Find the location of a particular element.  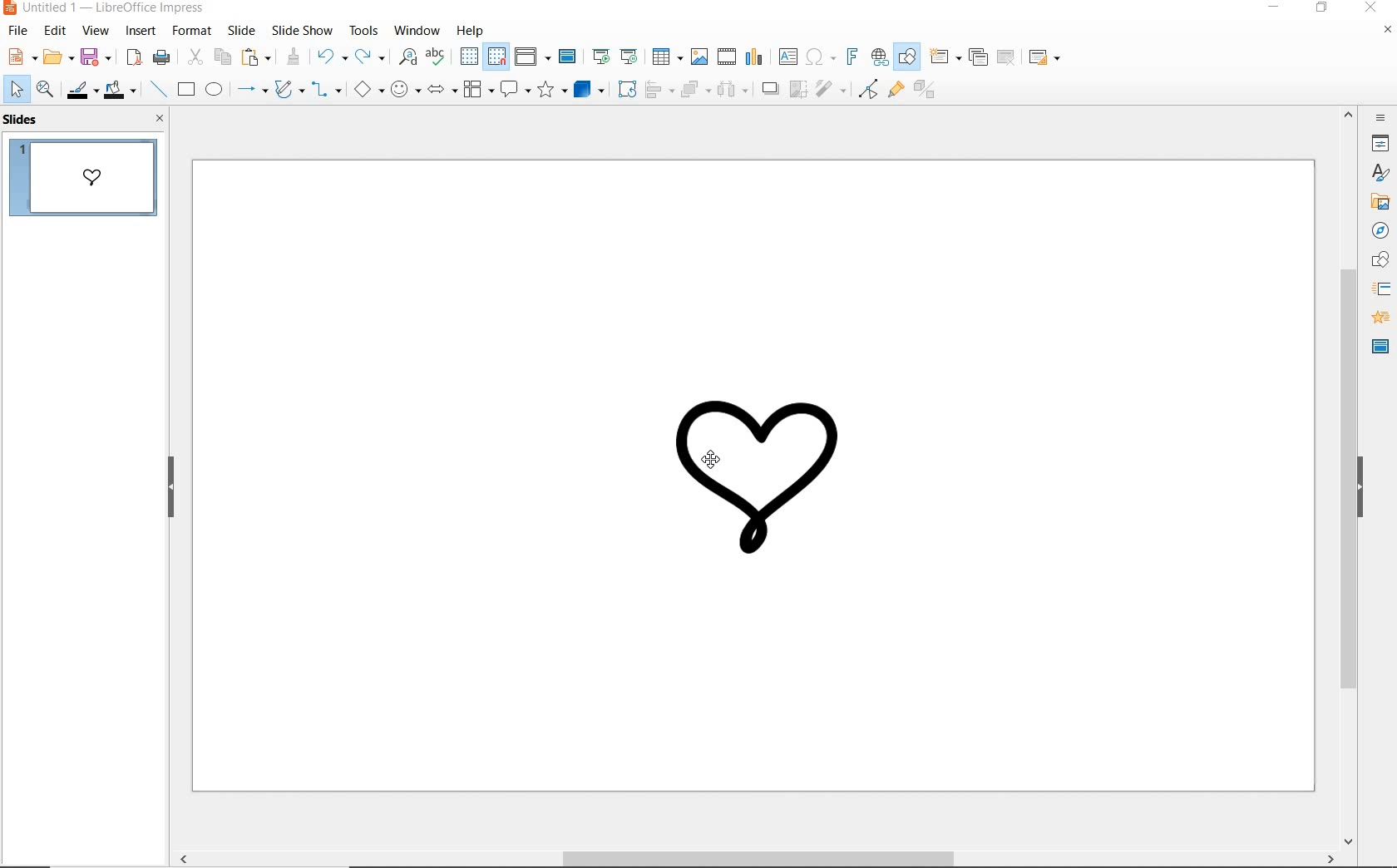

format is located at coordinates (192, 31).